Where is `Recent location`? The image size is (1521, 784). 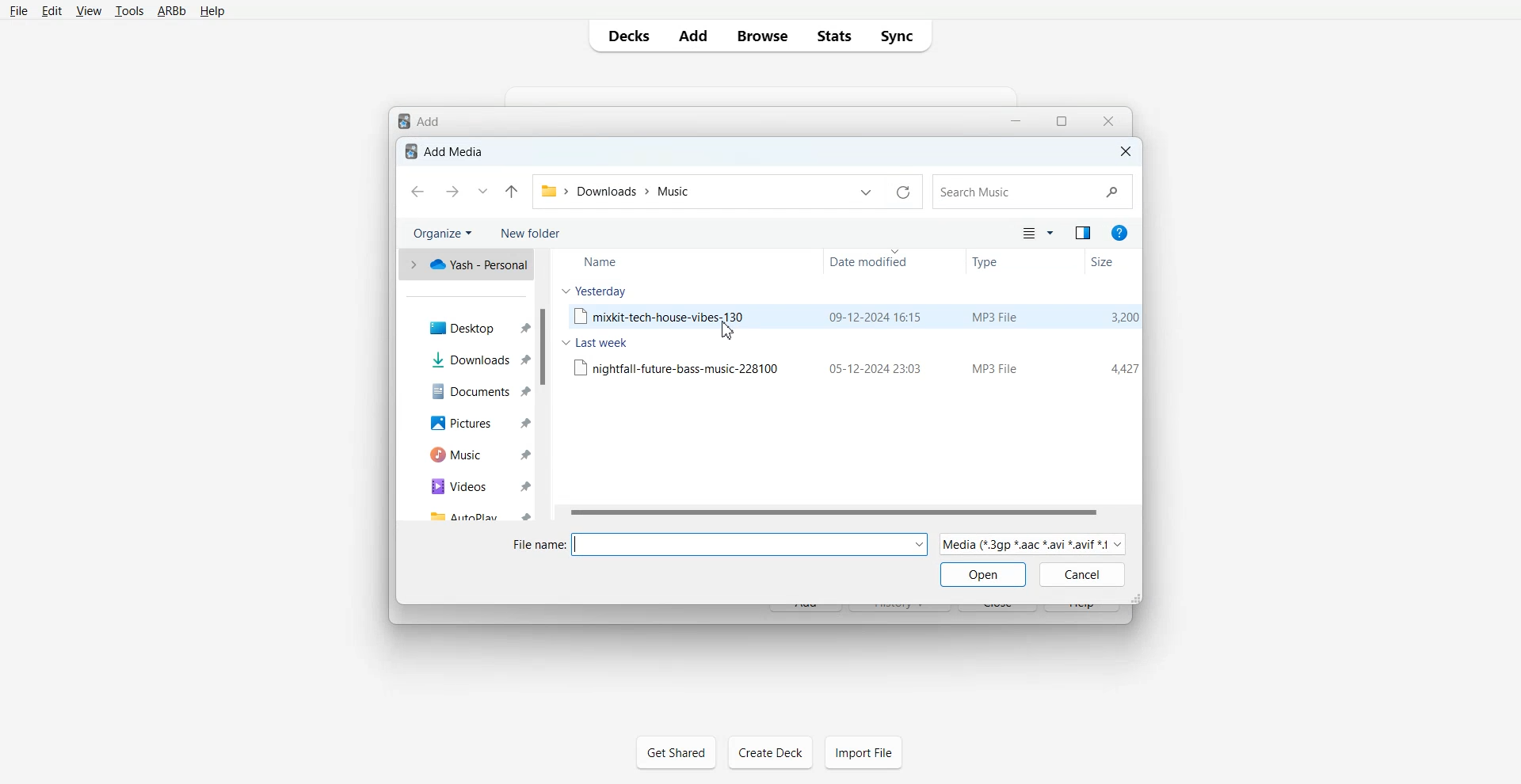 Recent location is located at coordinates (482, 191).